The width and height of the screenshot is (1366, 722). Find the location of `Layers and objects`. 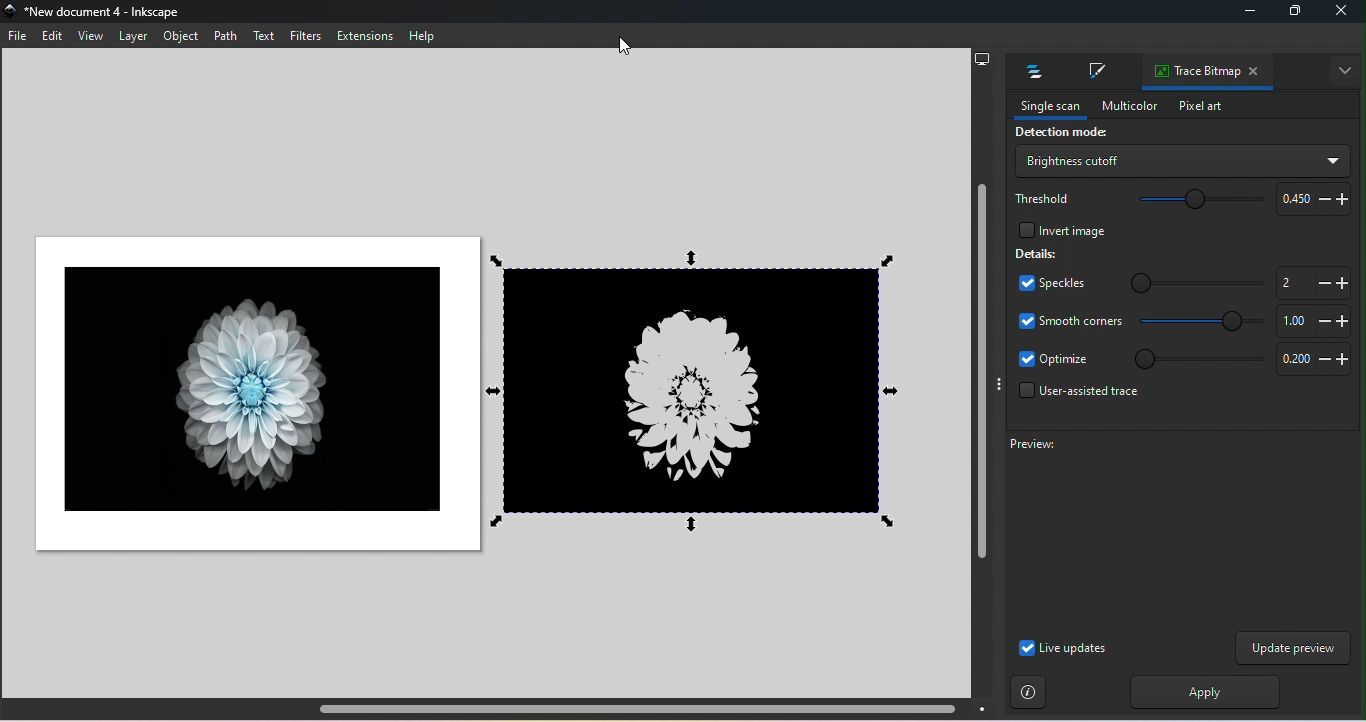

Layers and objects is located at coordinates (1029, 72).